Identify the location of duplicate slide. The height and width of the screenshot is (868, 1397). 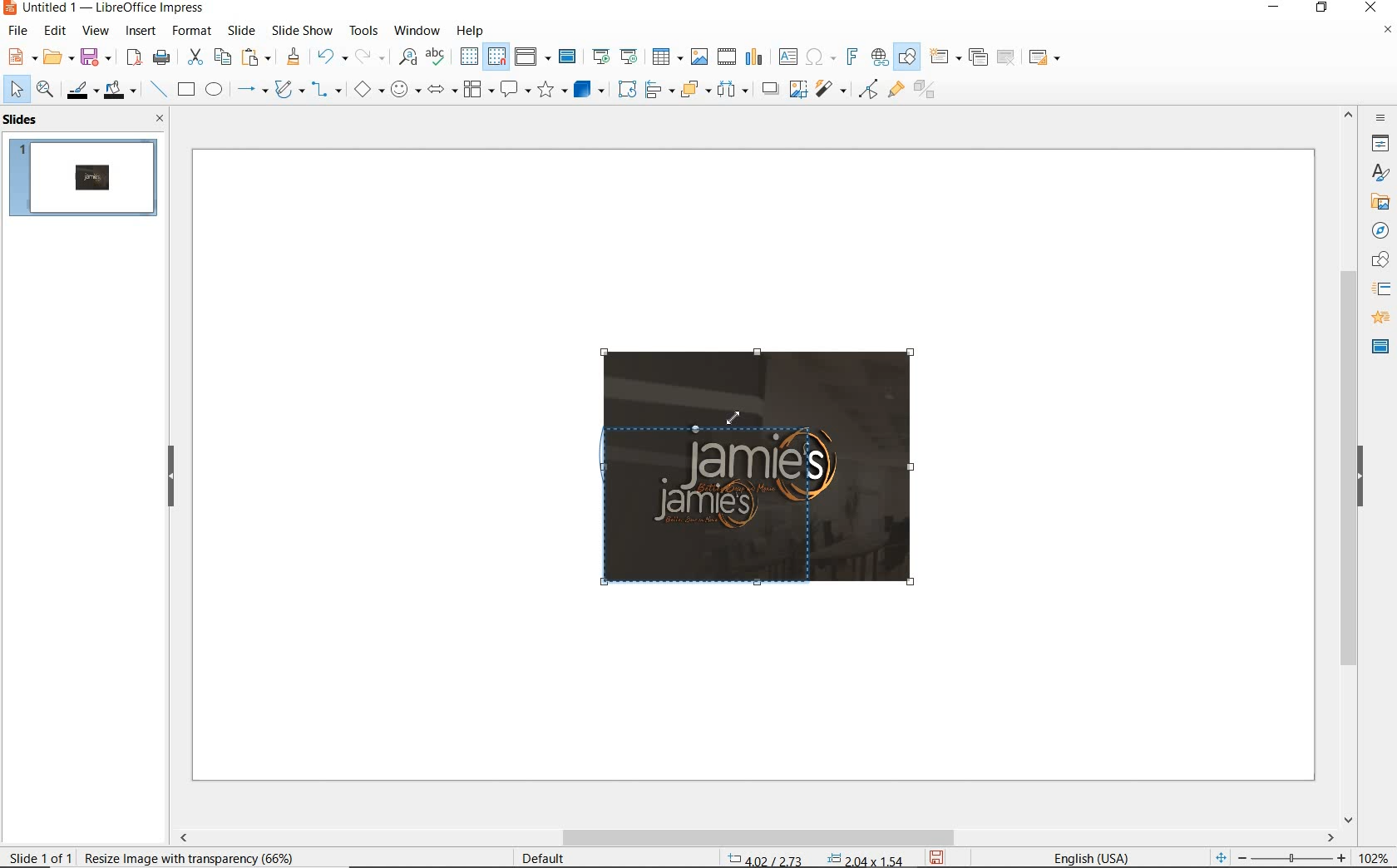
(978, 57).